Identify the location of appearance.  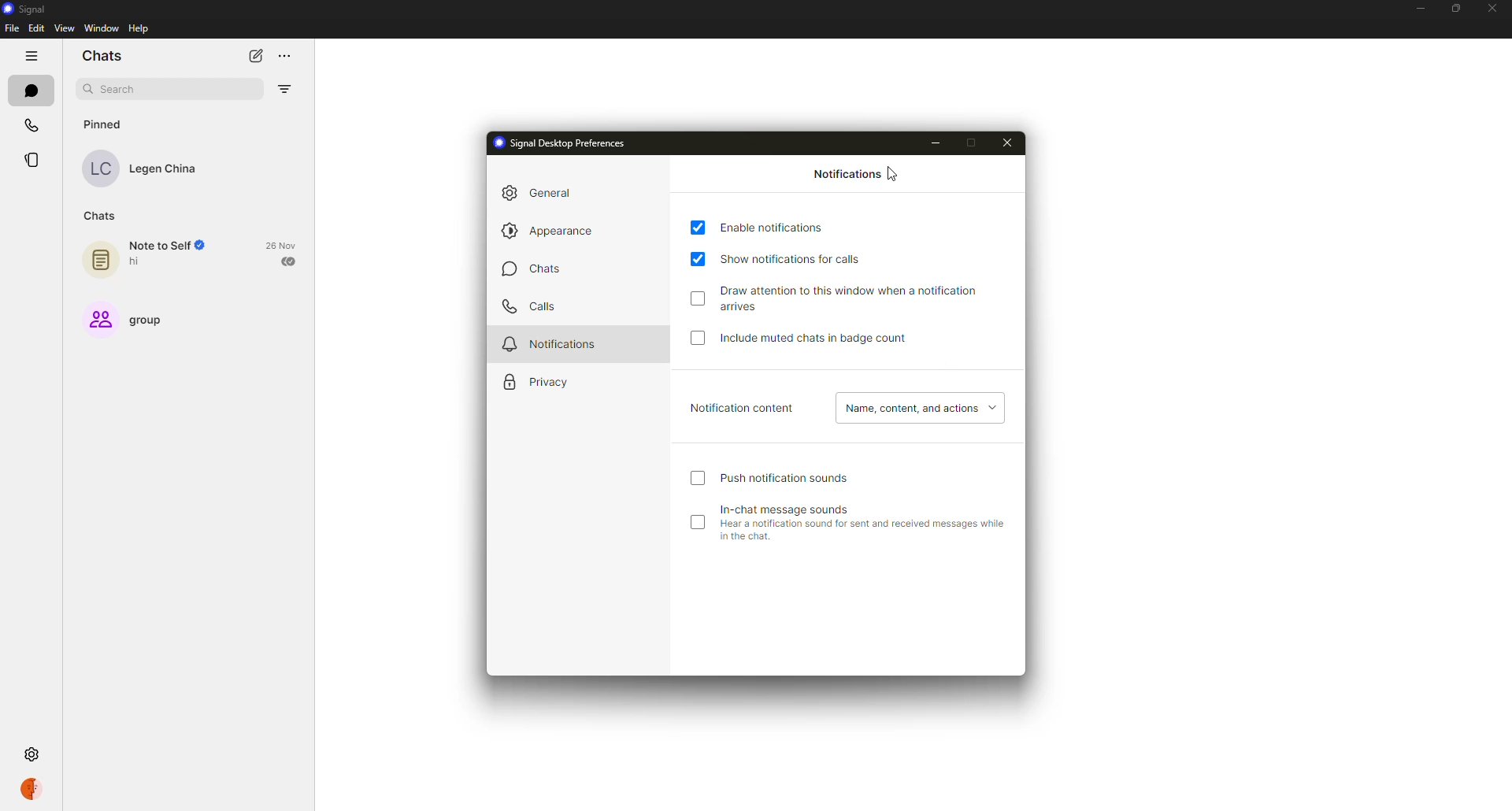
(555, 229).